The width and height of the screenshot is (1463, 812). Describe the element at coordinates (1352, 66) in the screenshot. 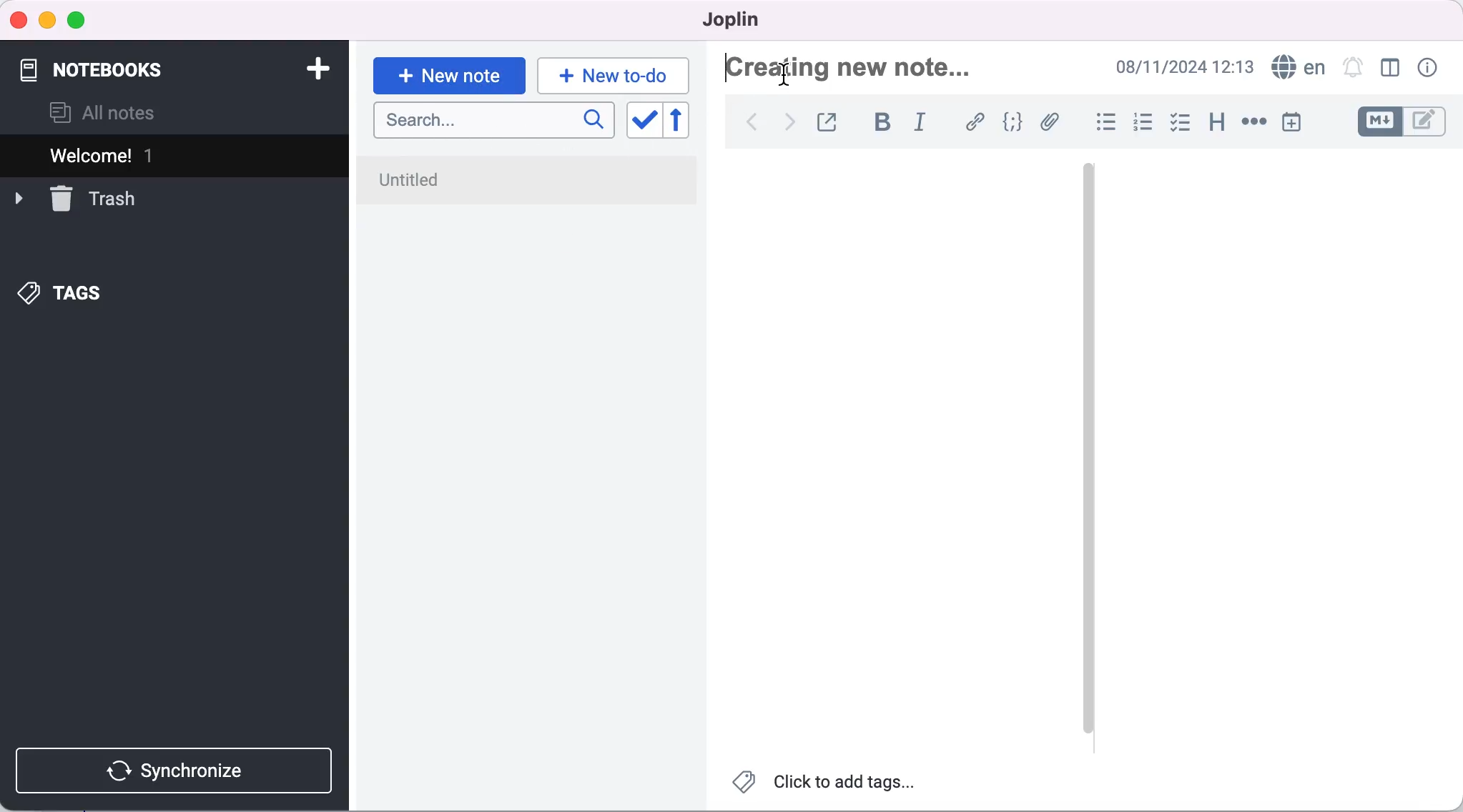

I see `set alarm` at that location.